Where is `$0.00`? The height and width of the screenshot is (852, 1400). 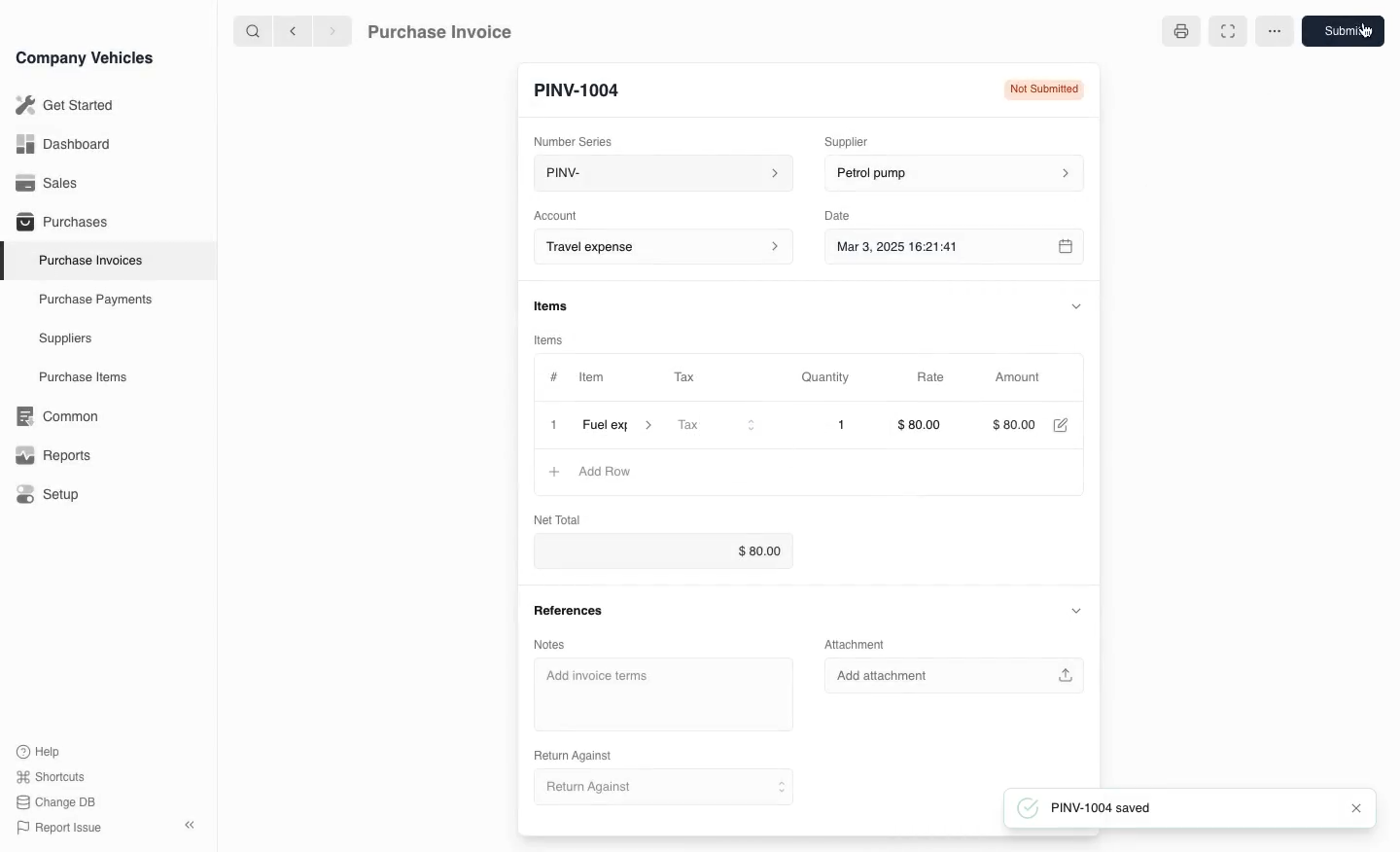 $0.00 is located at coordinates (674, 552).